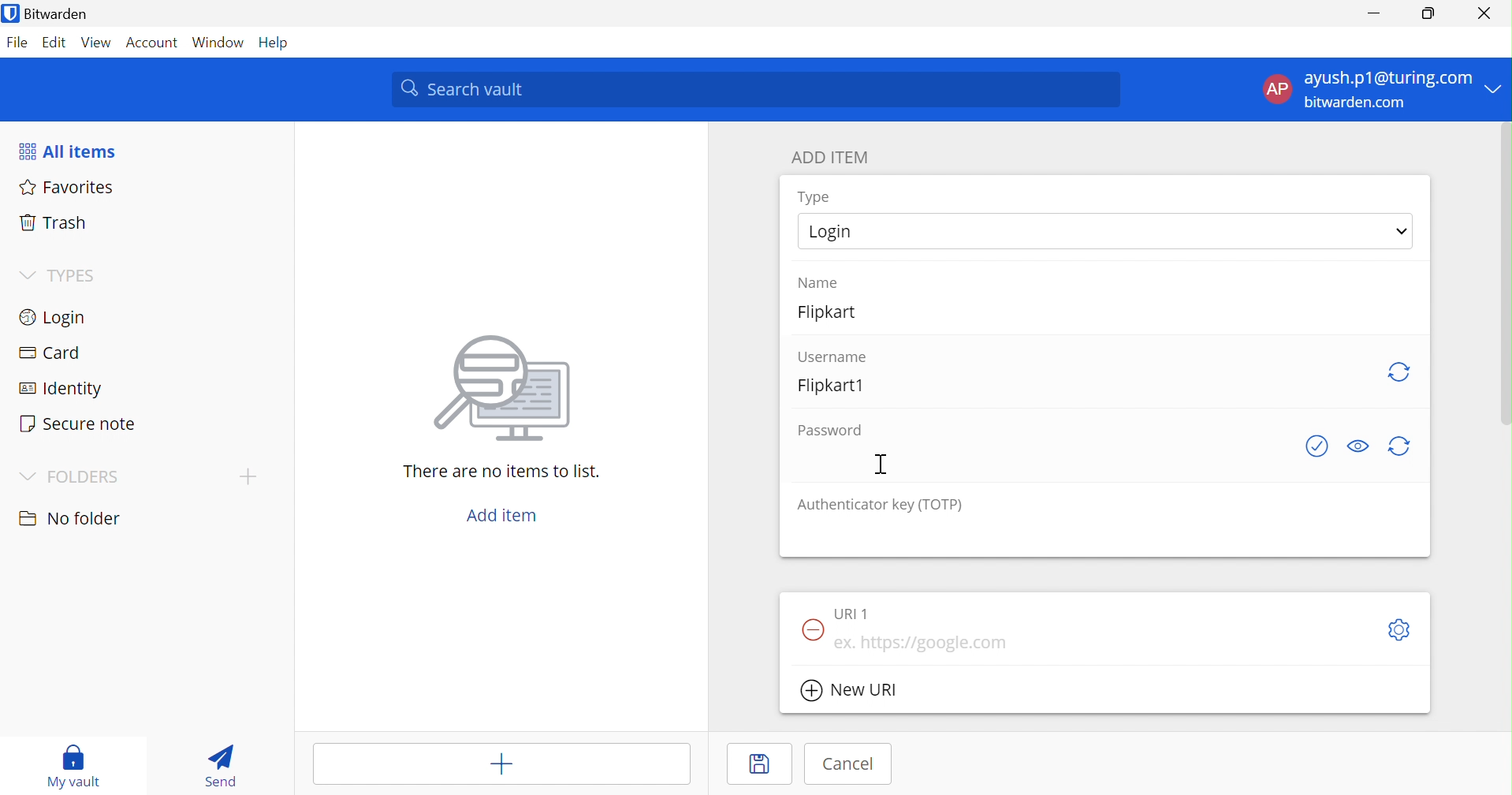  I want to click on ADD ITEM, so click(832, 159).